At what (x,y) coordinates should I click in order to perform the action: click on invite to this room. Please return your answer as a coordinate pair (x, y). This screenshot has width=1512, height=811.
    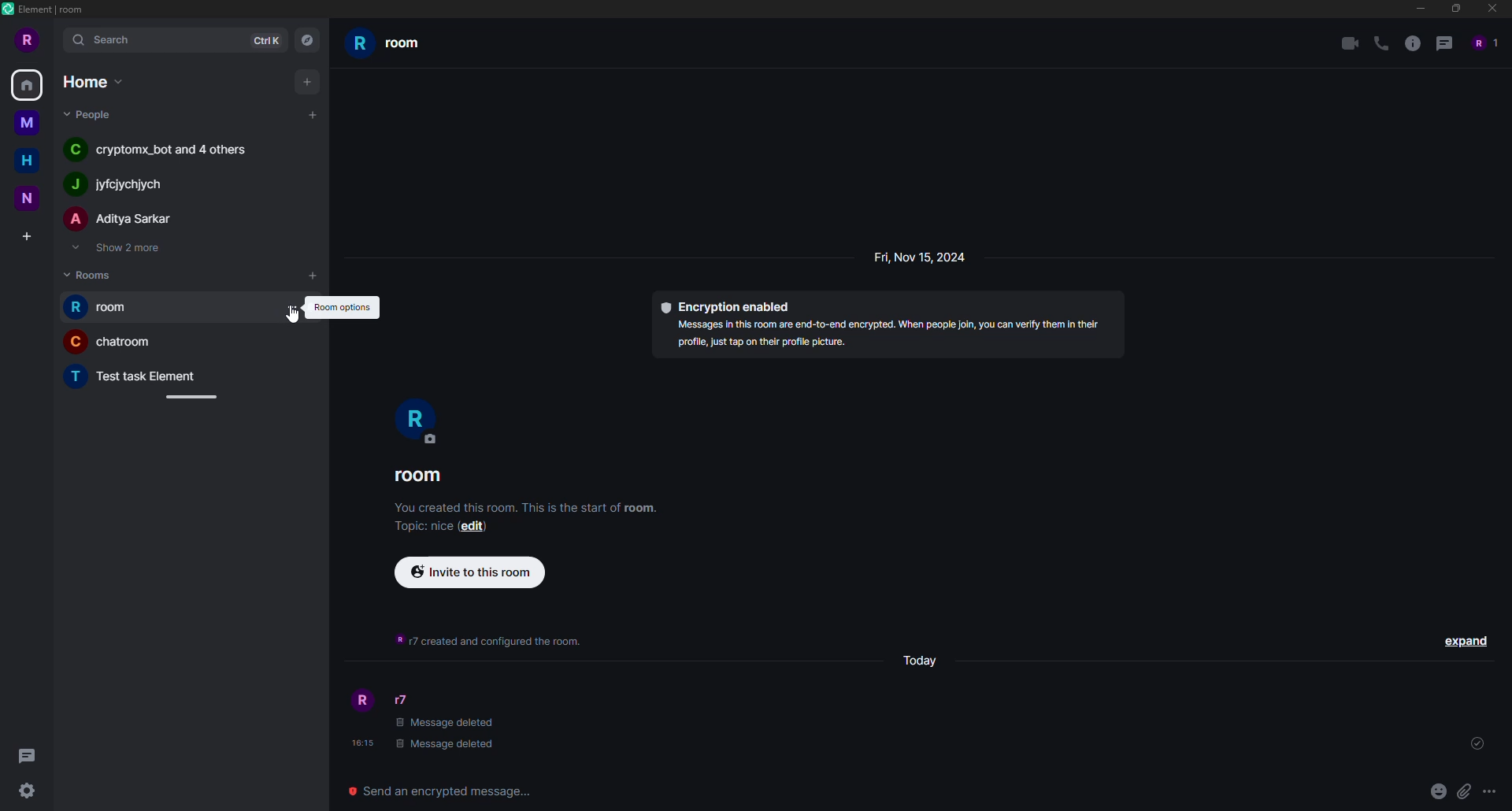
    Looking at the image, I should click on (468, 572).